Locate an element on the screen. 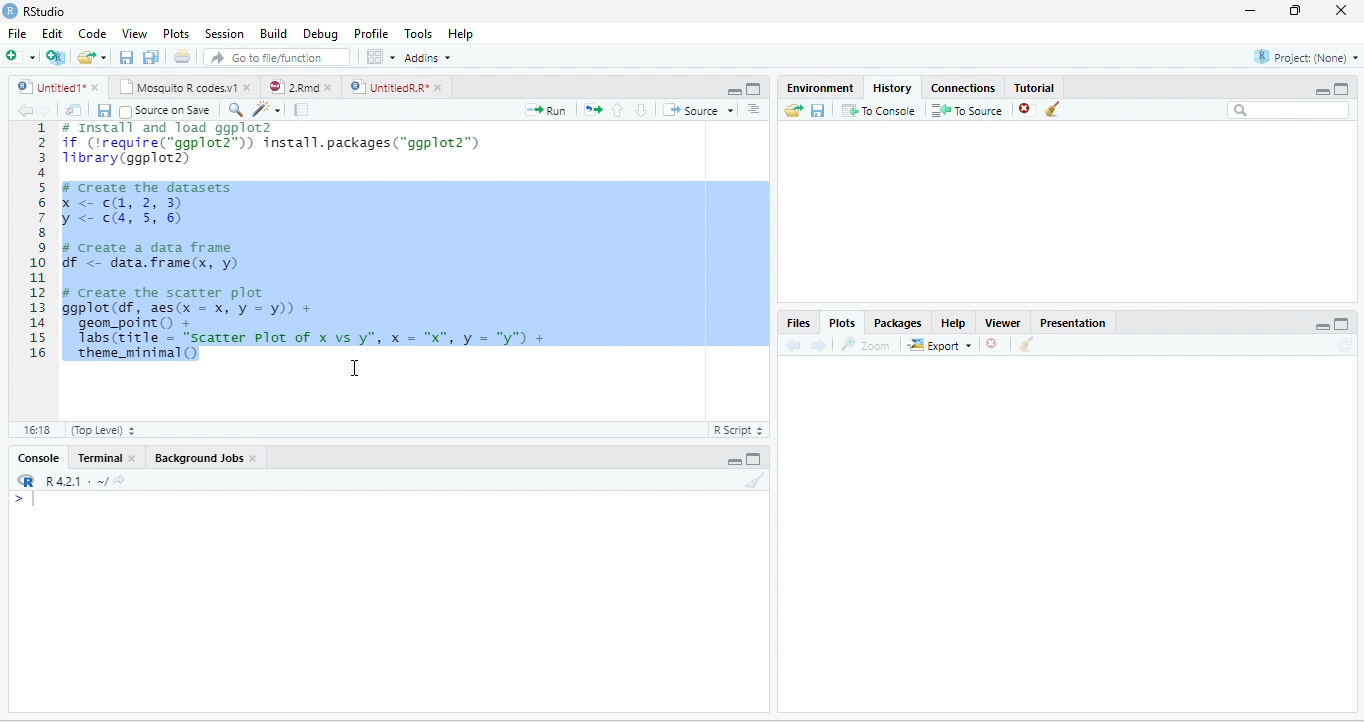  Maximize is located at coordinates (1343, 323).